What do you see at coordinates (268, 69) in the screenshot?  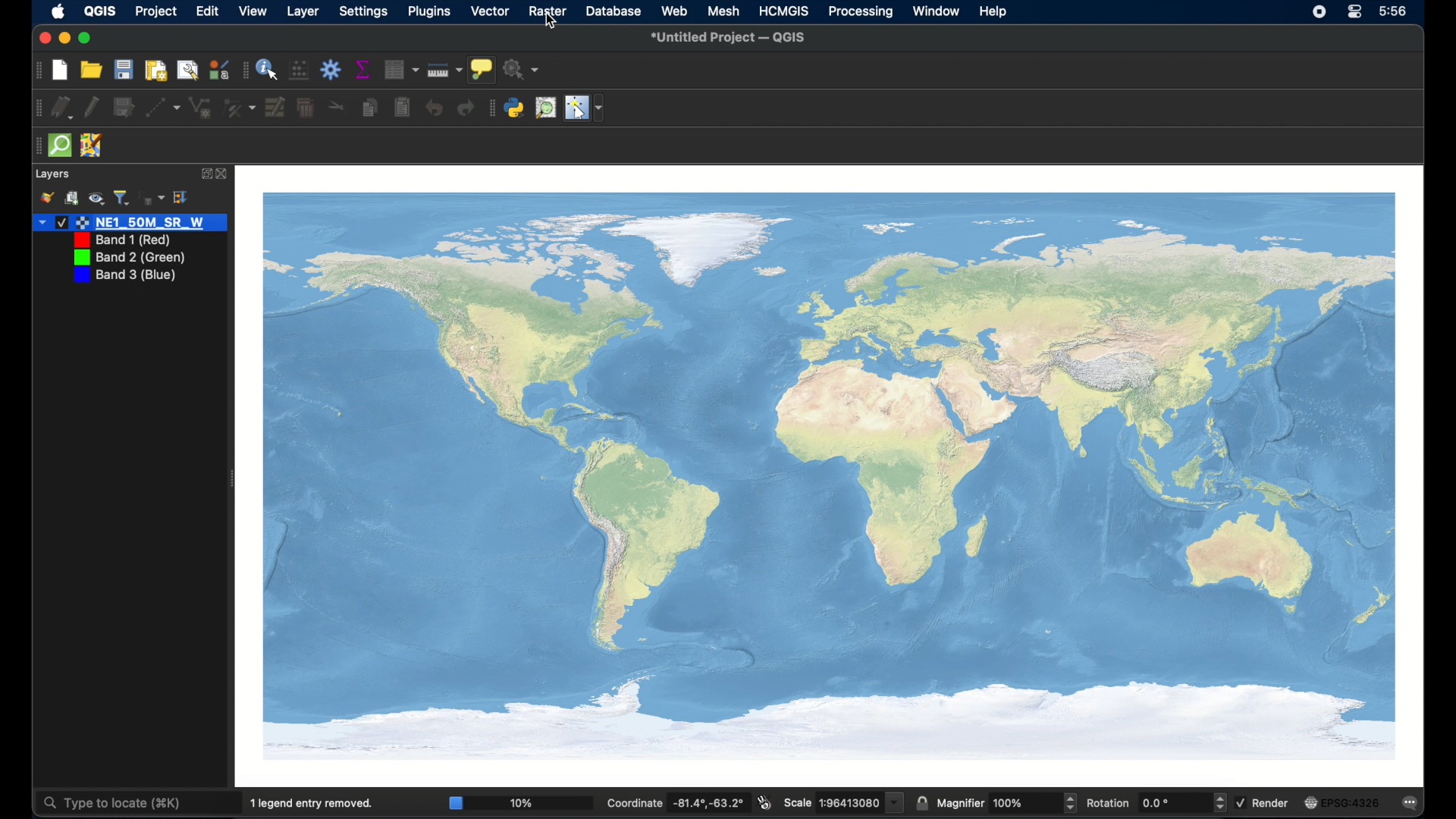 I see `identify feature` at bounding box center [268, 69].